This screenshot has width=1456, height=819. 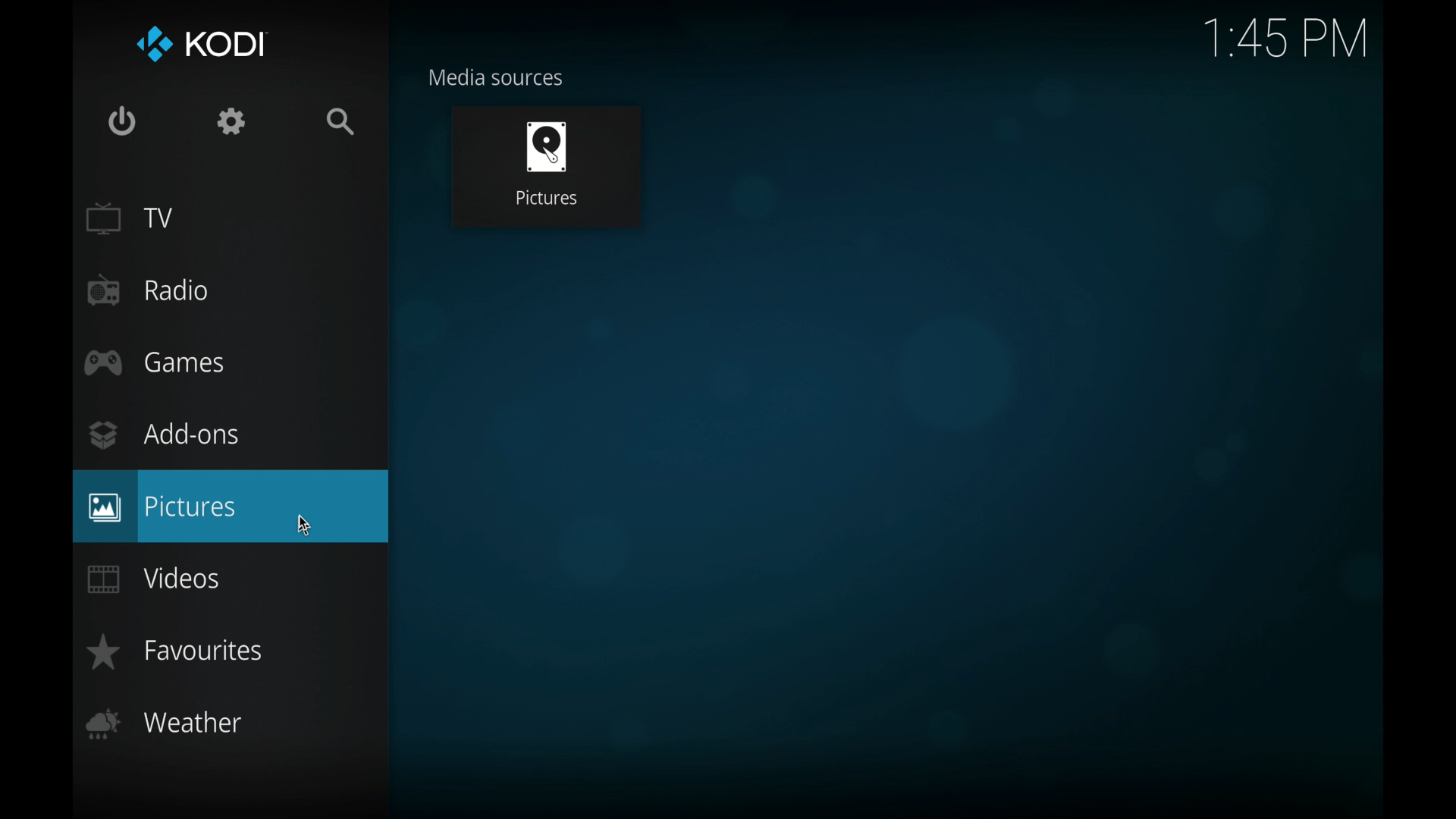 What do you see at coordinates (231, 506) in the screenshot?
I see `pictures` at bounding box center [231, 506].